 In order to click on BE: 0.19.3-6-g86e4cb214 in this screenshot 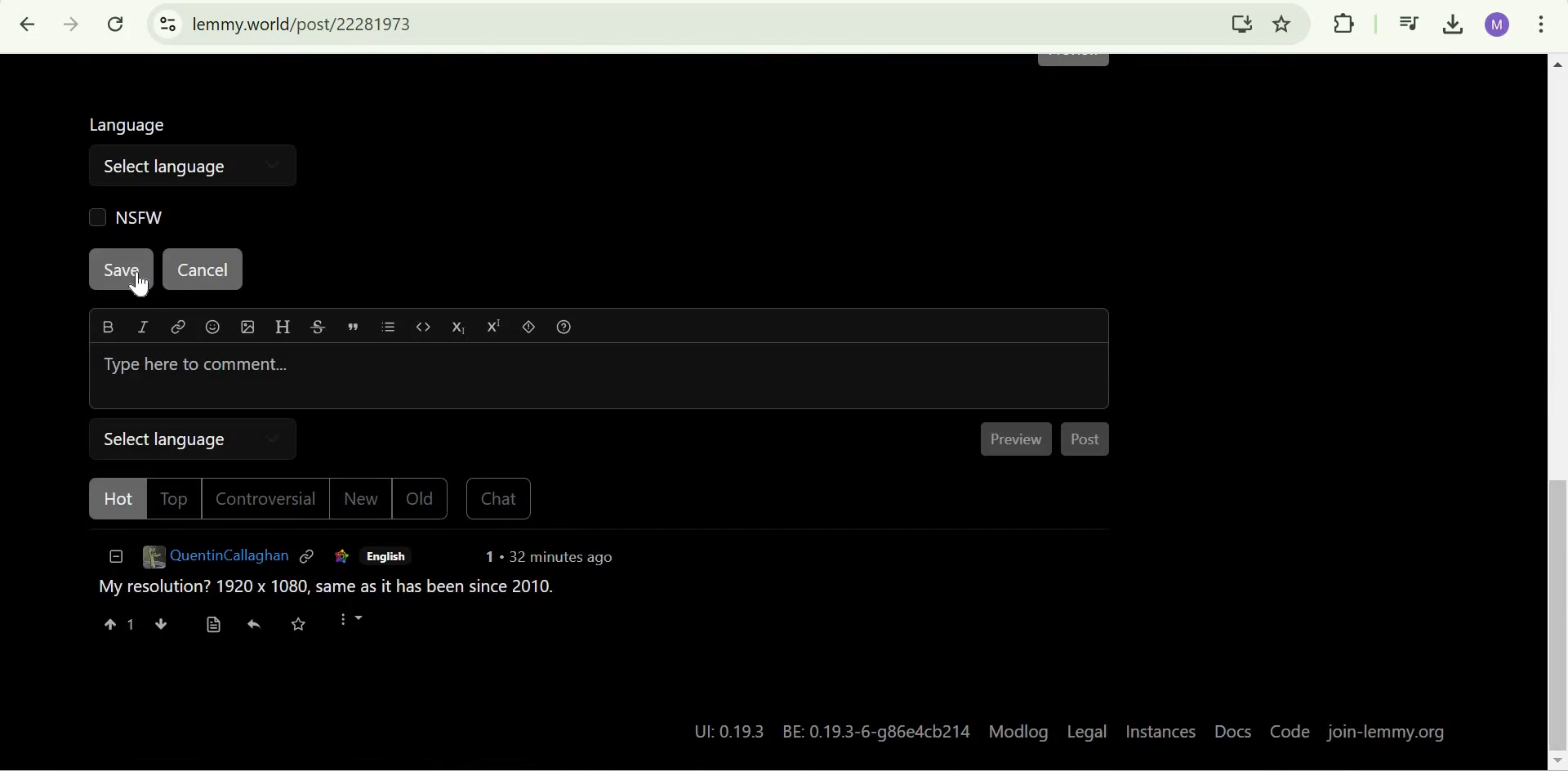, I will do `click(879, 729)`.